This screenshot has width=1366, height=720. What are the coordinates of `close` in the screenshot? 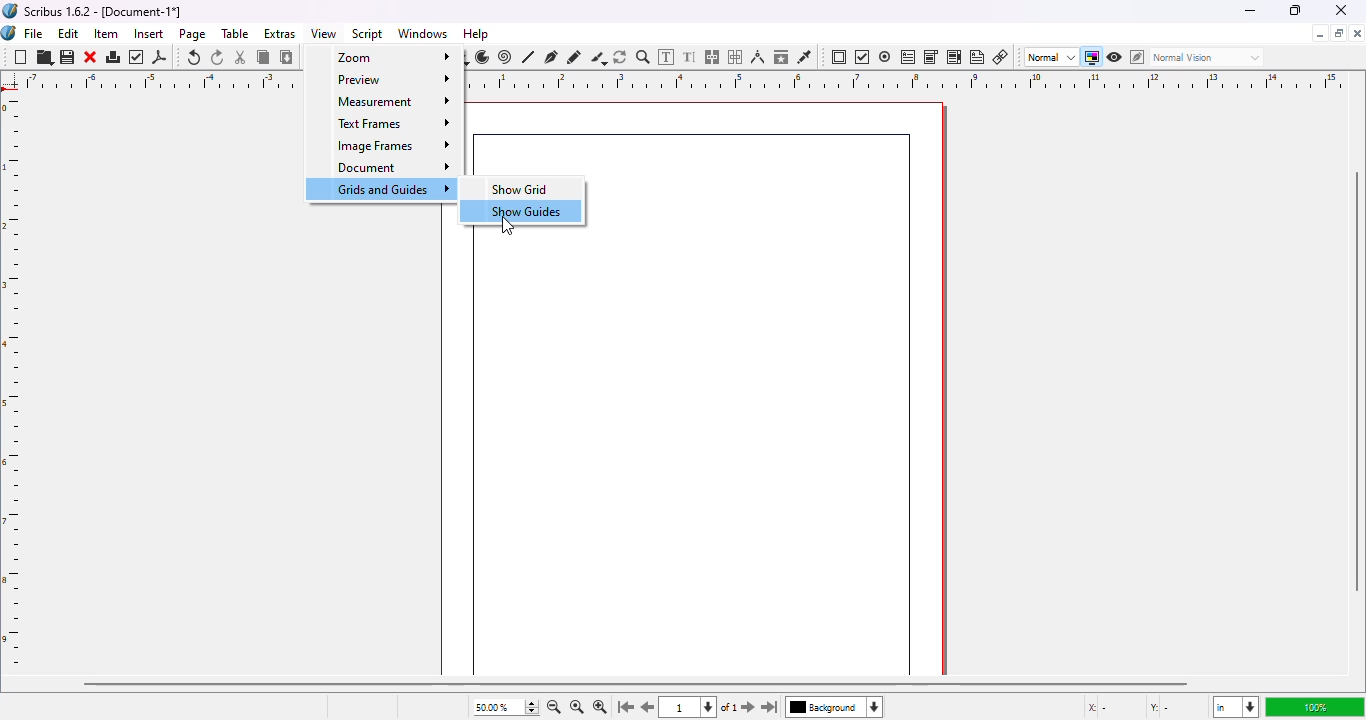 It's located at (1342, 10).